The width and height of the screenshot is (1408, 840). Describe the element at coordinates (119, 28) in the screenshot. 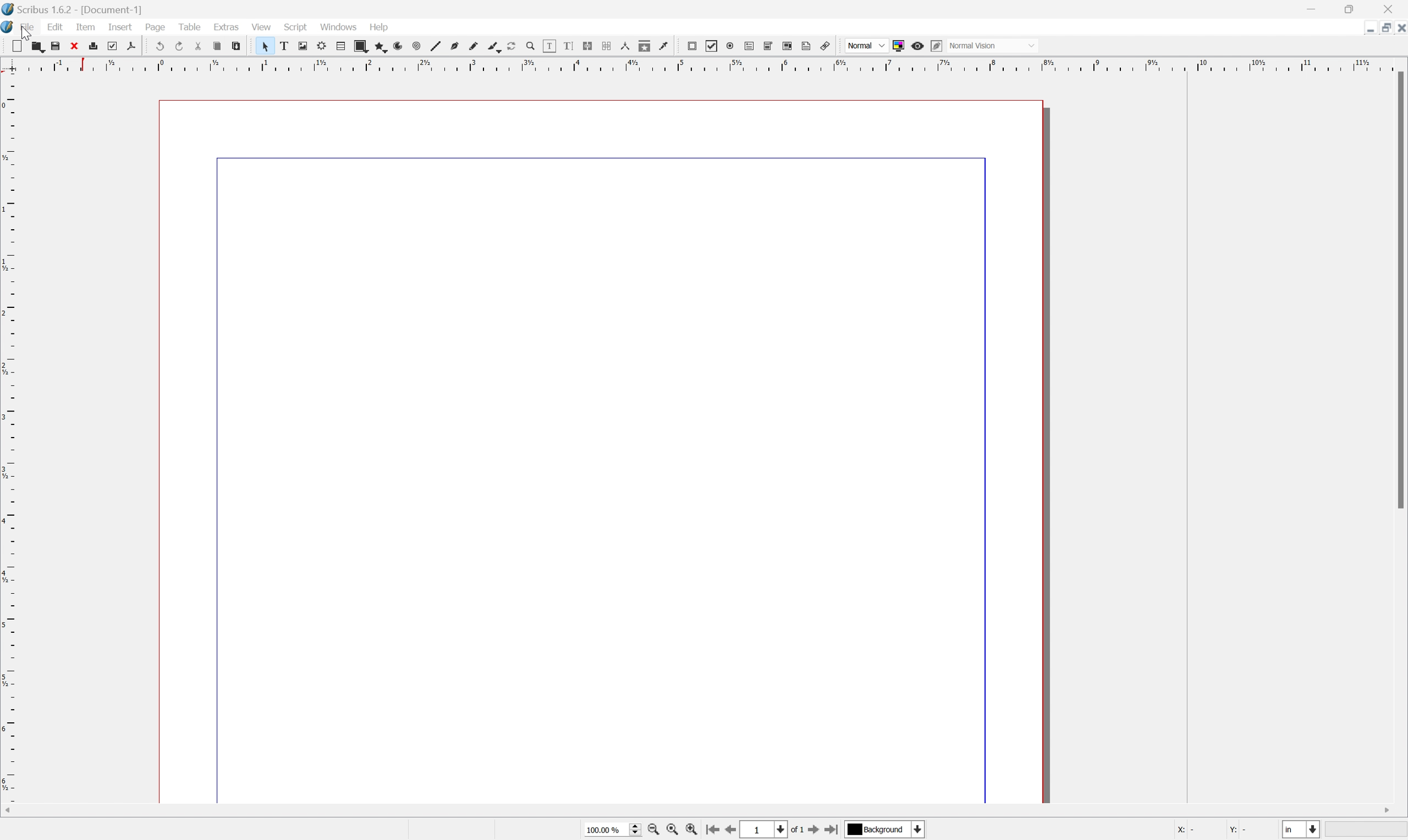

I see `Insert` at that location.